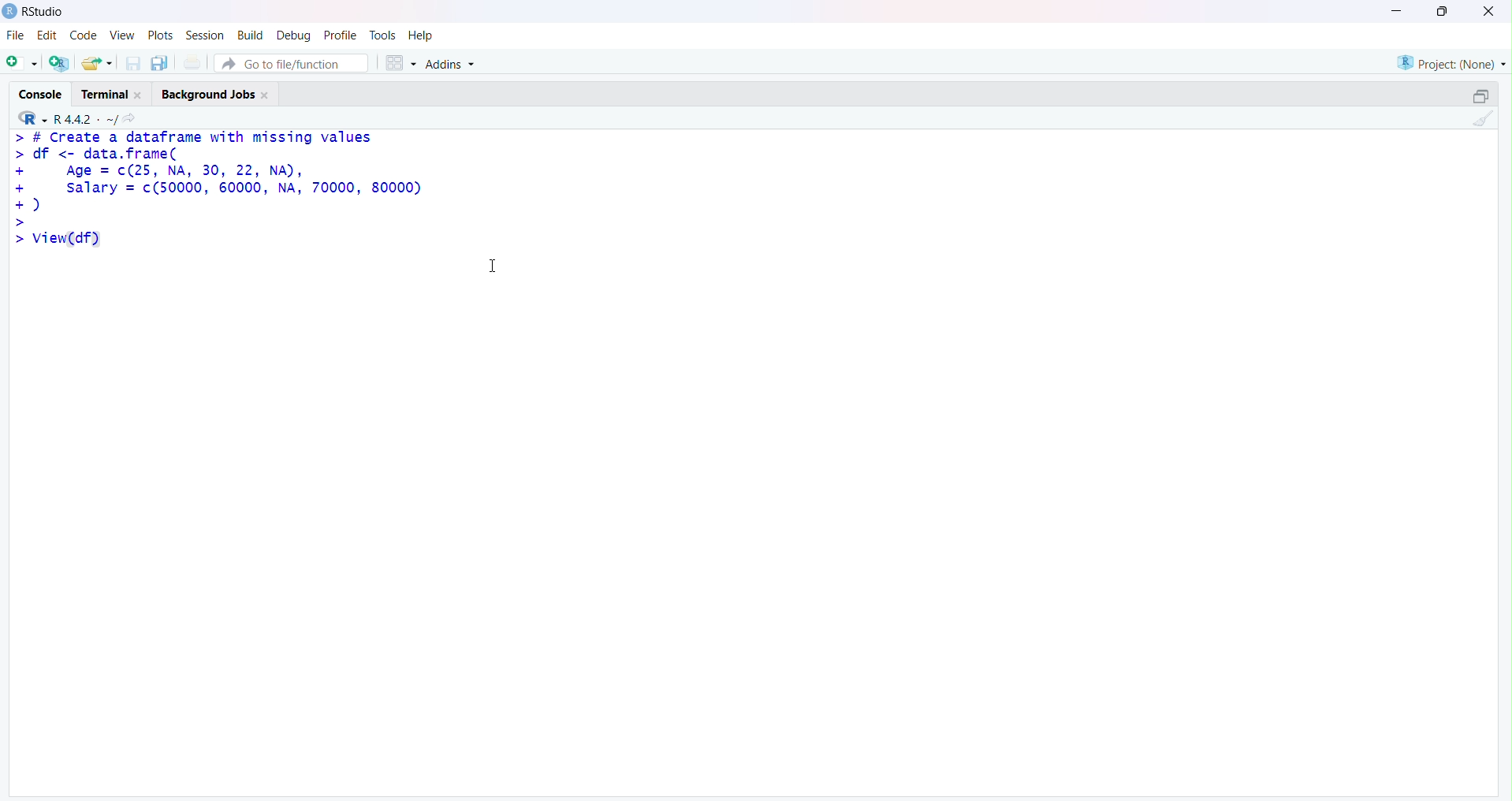  I want to click on View the current working directory, so click(136, 116).